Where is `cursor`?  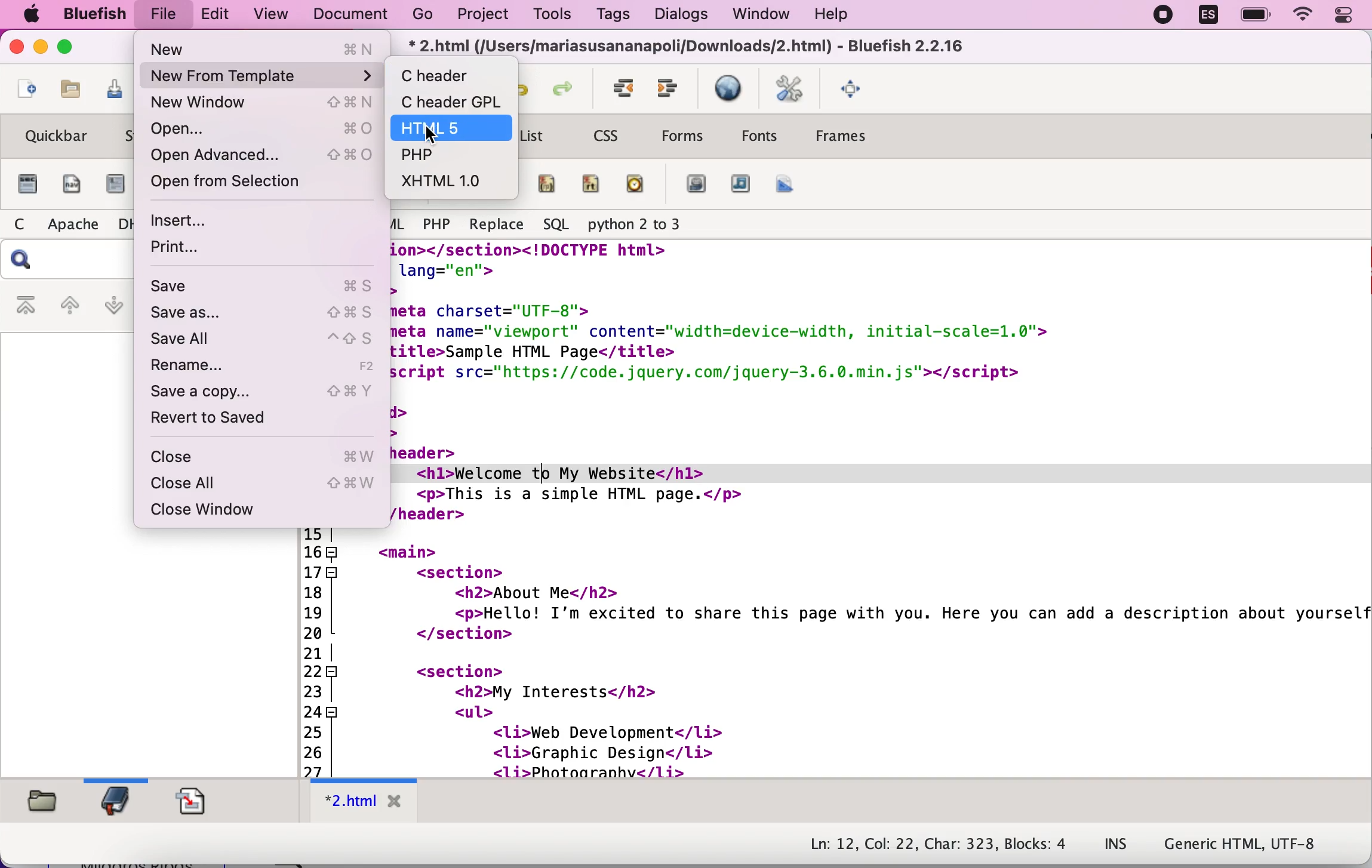 cursor is located at coordinates (426, 133).